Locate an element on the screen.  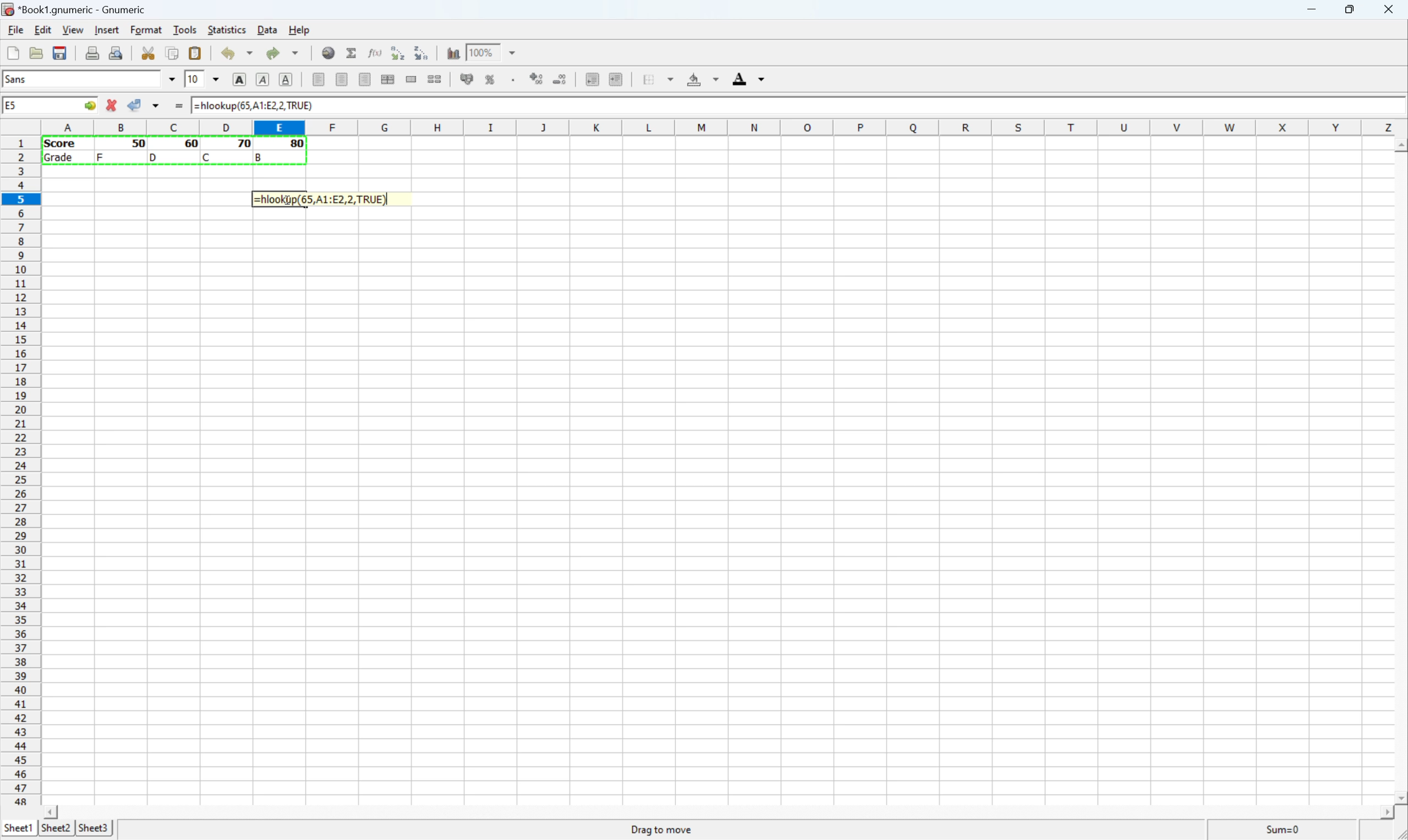
edit is located at coordinates (42, 30).